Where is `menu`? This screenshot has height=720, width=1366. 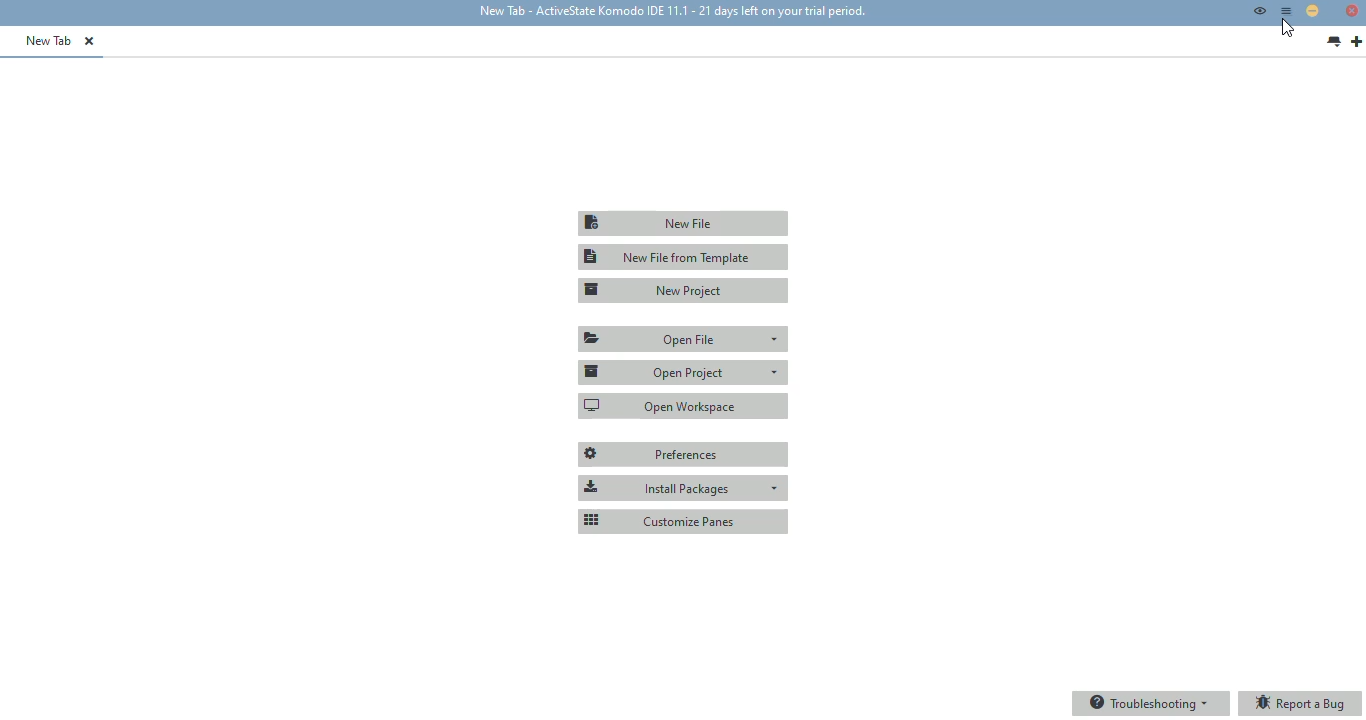
menu is located at coordinates (1287, 11).